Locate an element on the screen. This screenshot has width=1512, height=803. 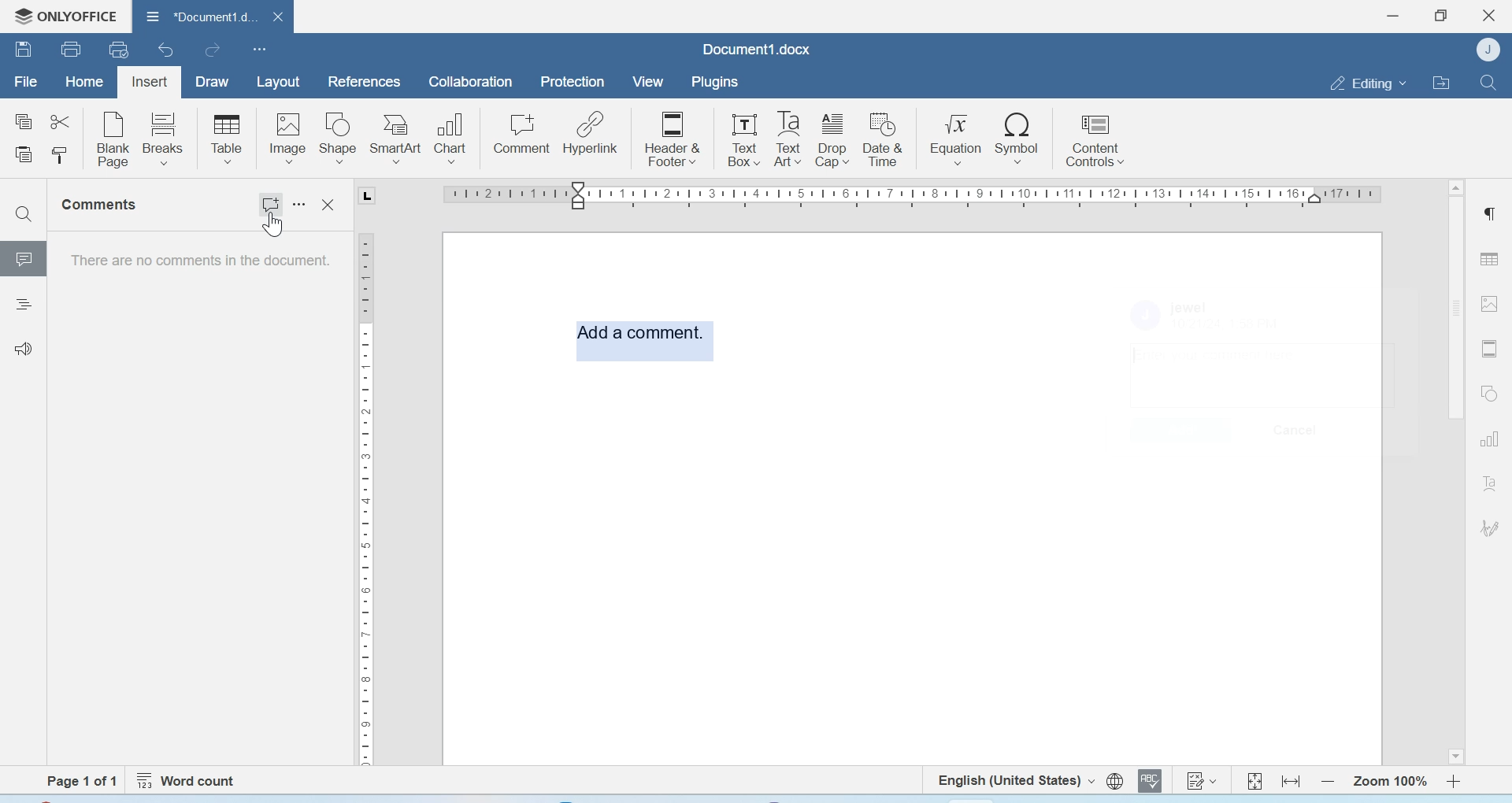
Add comment is located at coordinates (643, 337).